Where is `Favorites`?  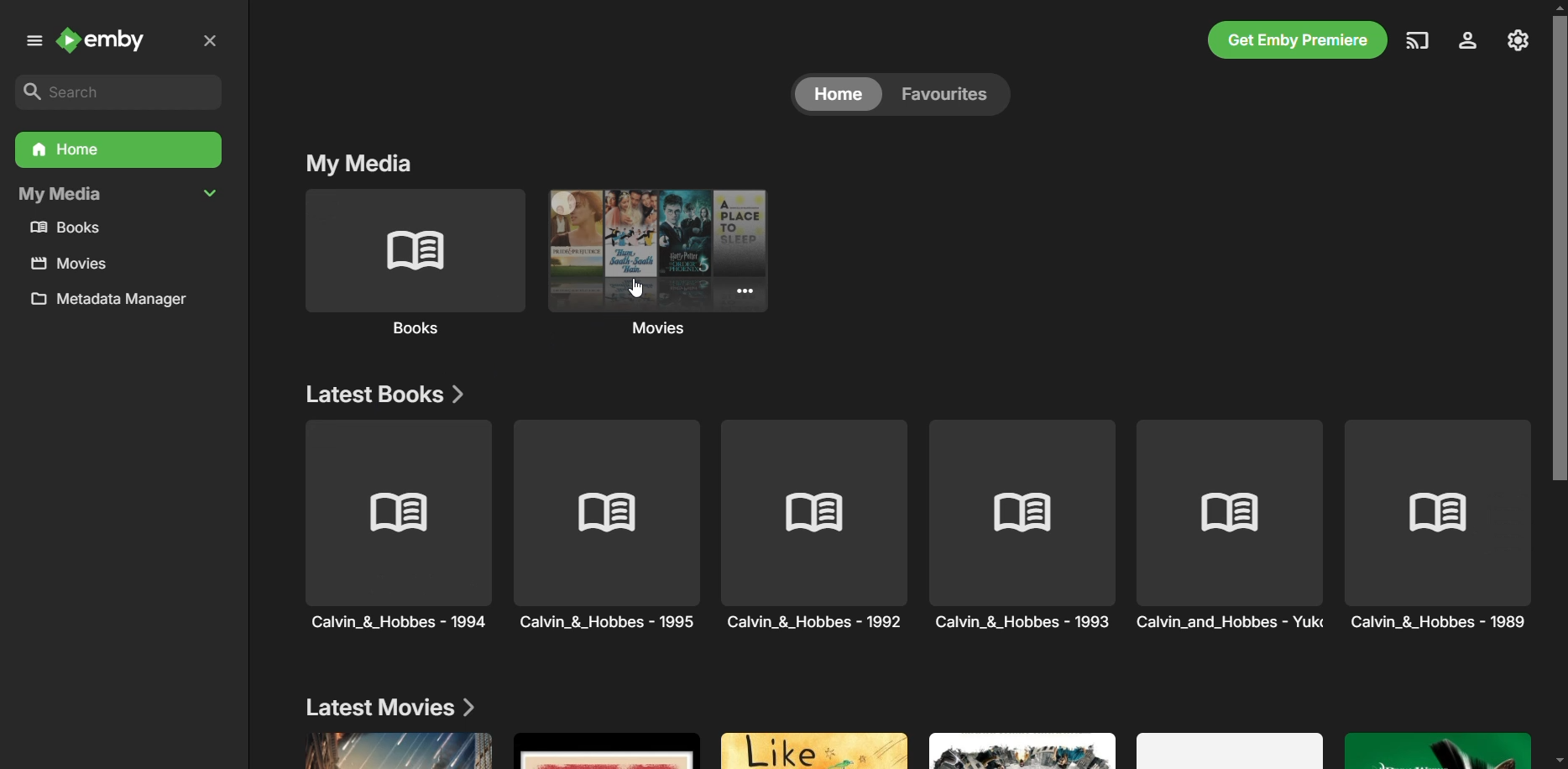 Favorites is located at coordinates (943, 94).